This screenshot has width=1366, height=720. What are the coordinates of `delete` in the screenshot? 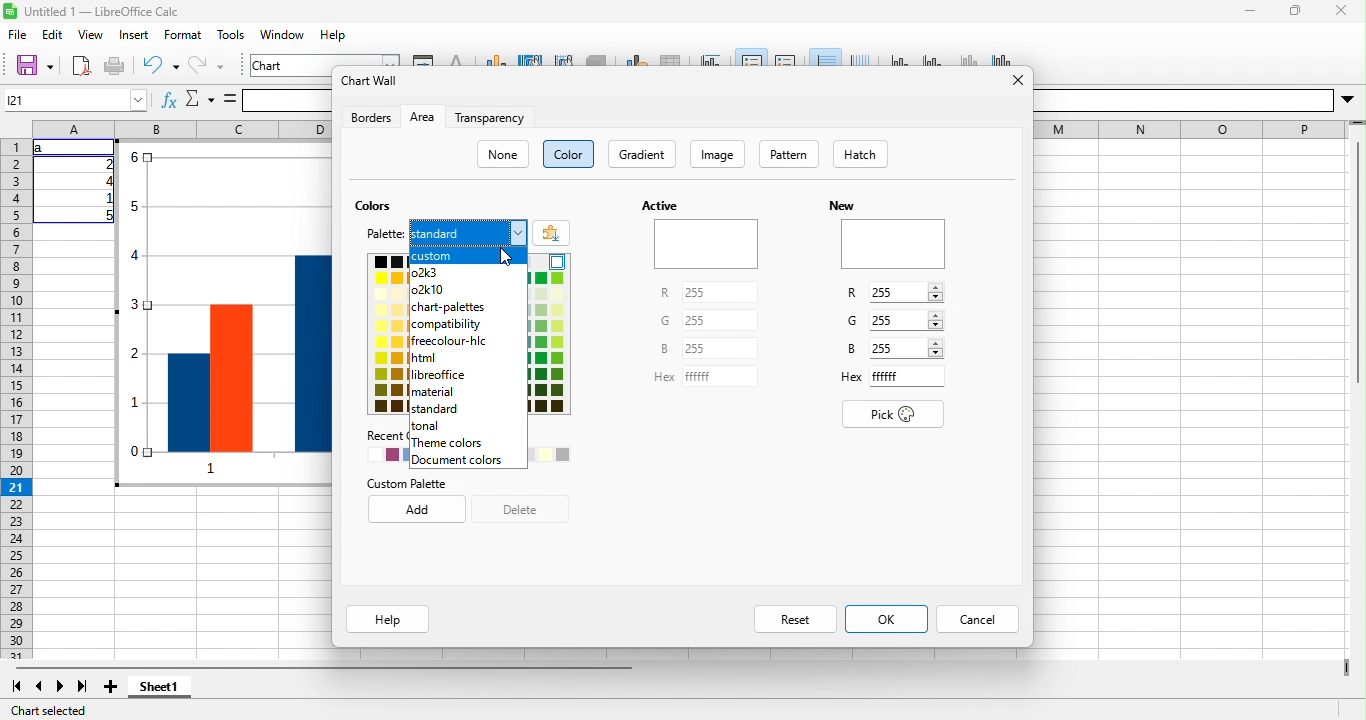 It's located at (520, 509).